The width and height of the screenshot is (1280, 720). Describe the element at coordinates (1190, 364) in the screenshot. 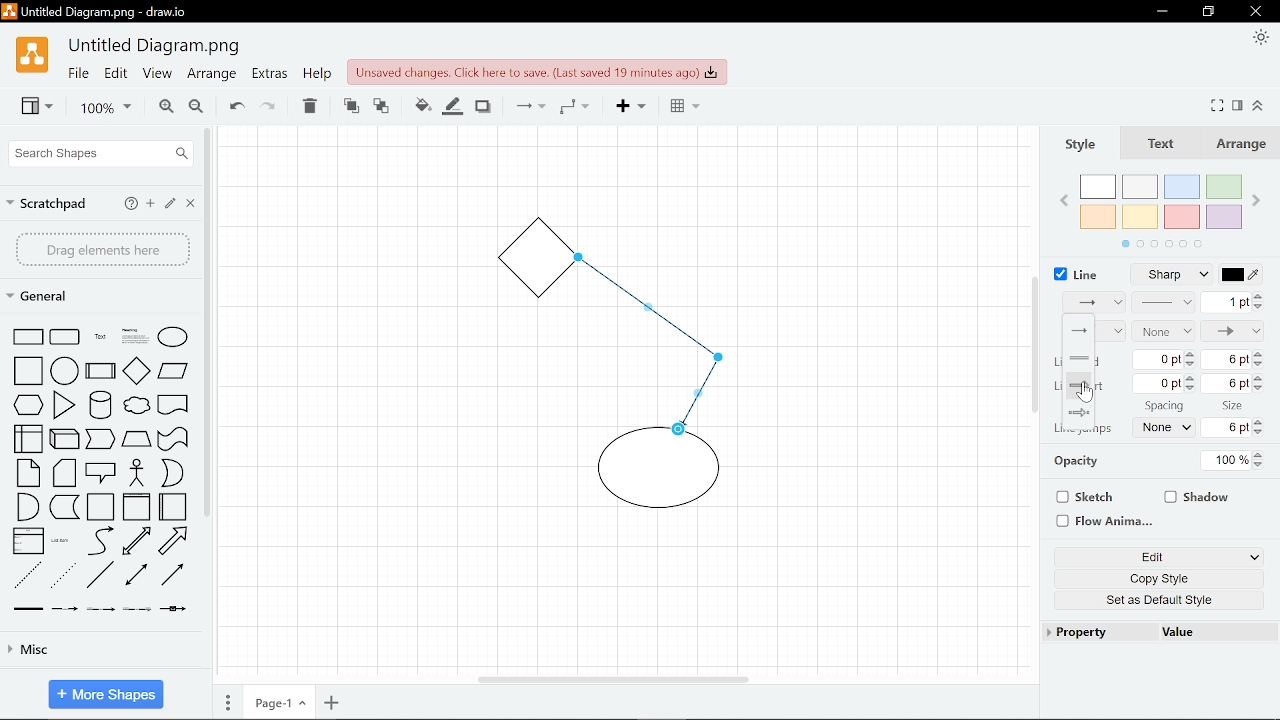

I see `decrease line end` at that location.